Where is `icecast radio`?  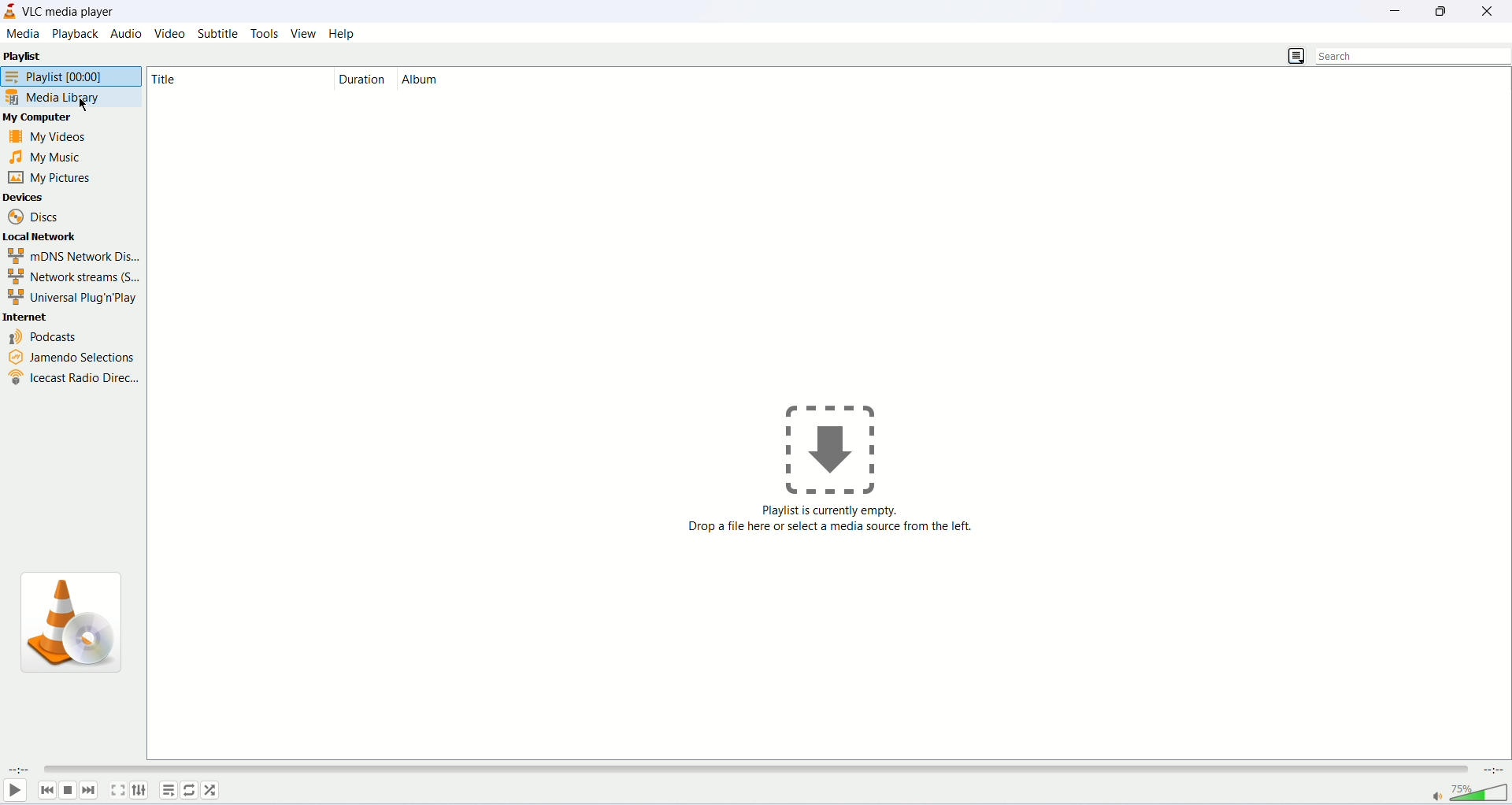
icecast radio is located at coordinates (71, 380).